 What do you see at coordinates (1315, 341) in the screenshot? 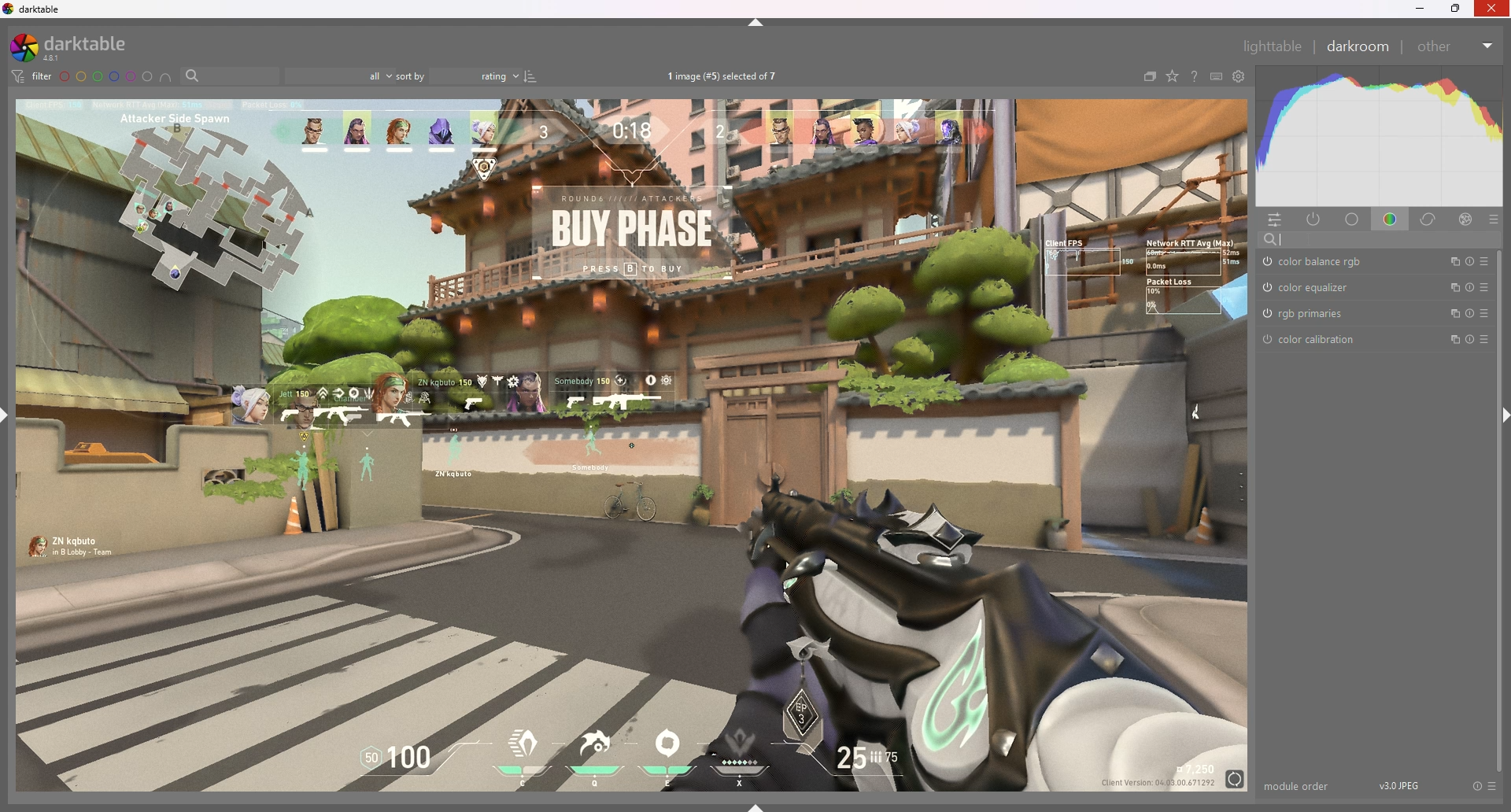
I see `color calibration` at bounding box center [1315, 341].